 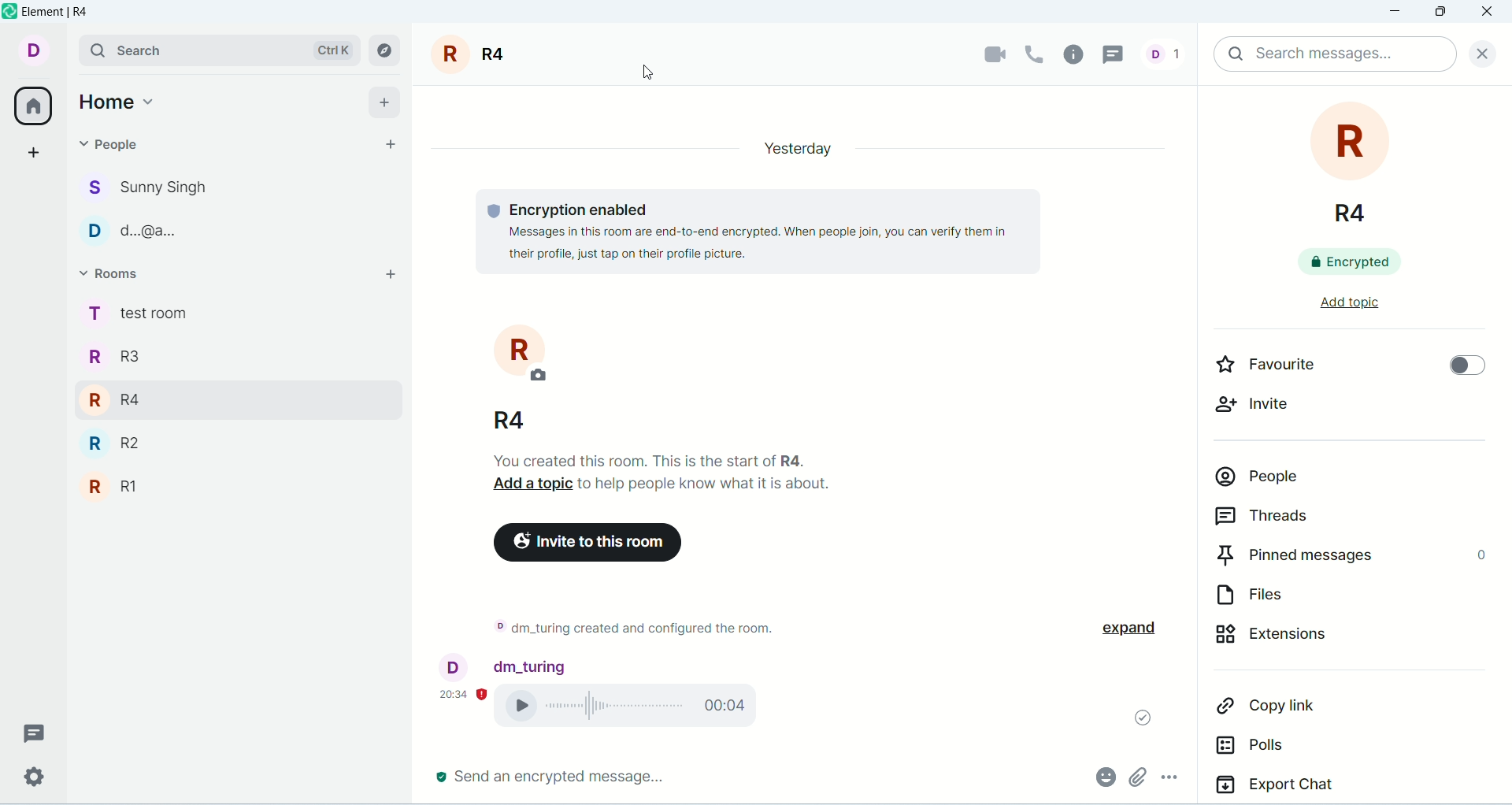 What do you see at coordinates (384, 278) in the screenshot?
I see `add` at bounding box center [384, 278].